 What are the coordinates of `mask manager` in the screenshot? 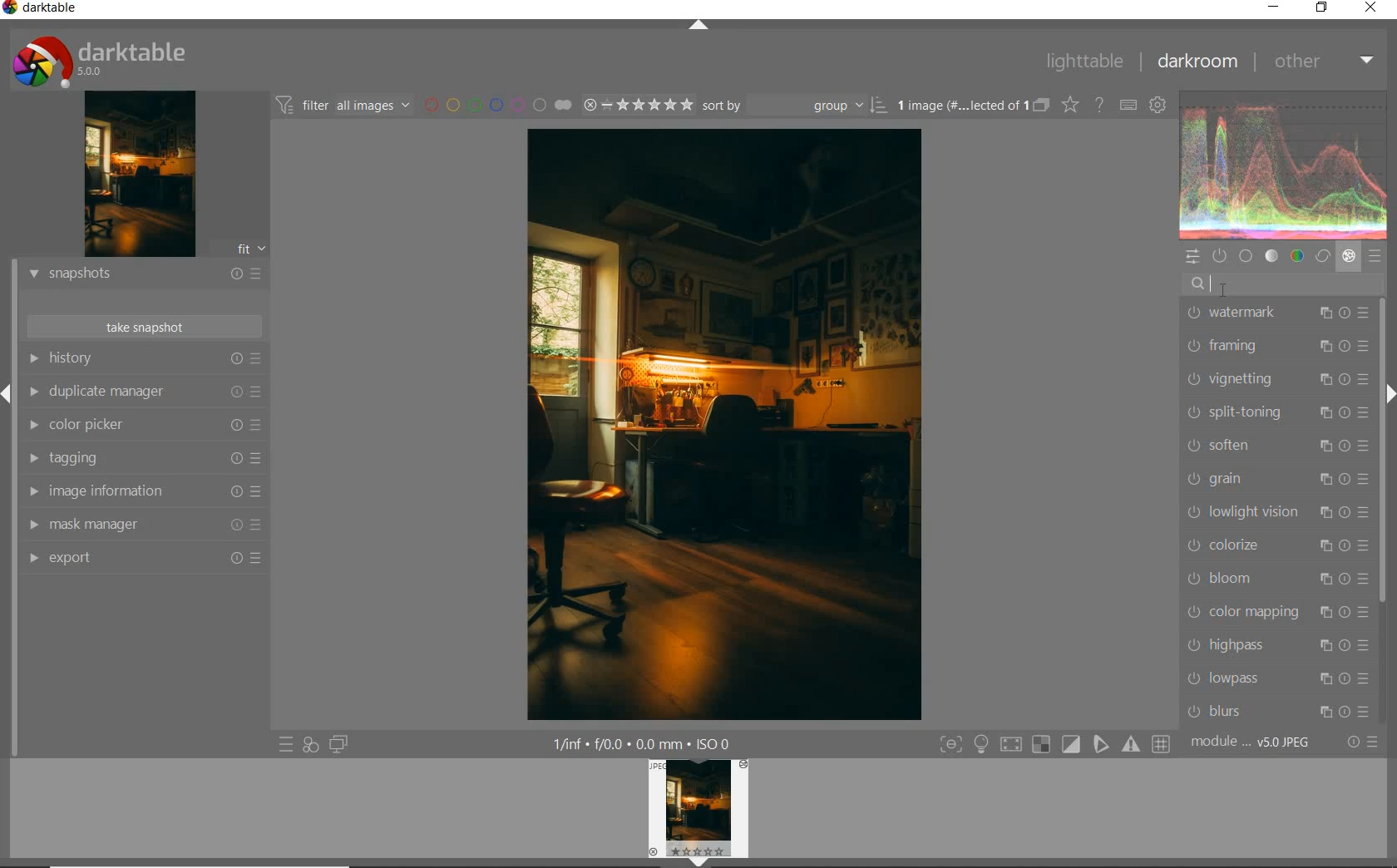 It's located at (141, 526).